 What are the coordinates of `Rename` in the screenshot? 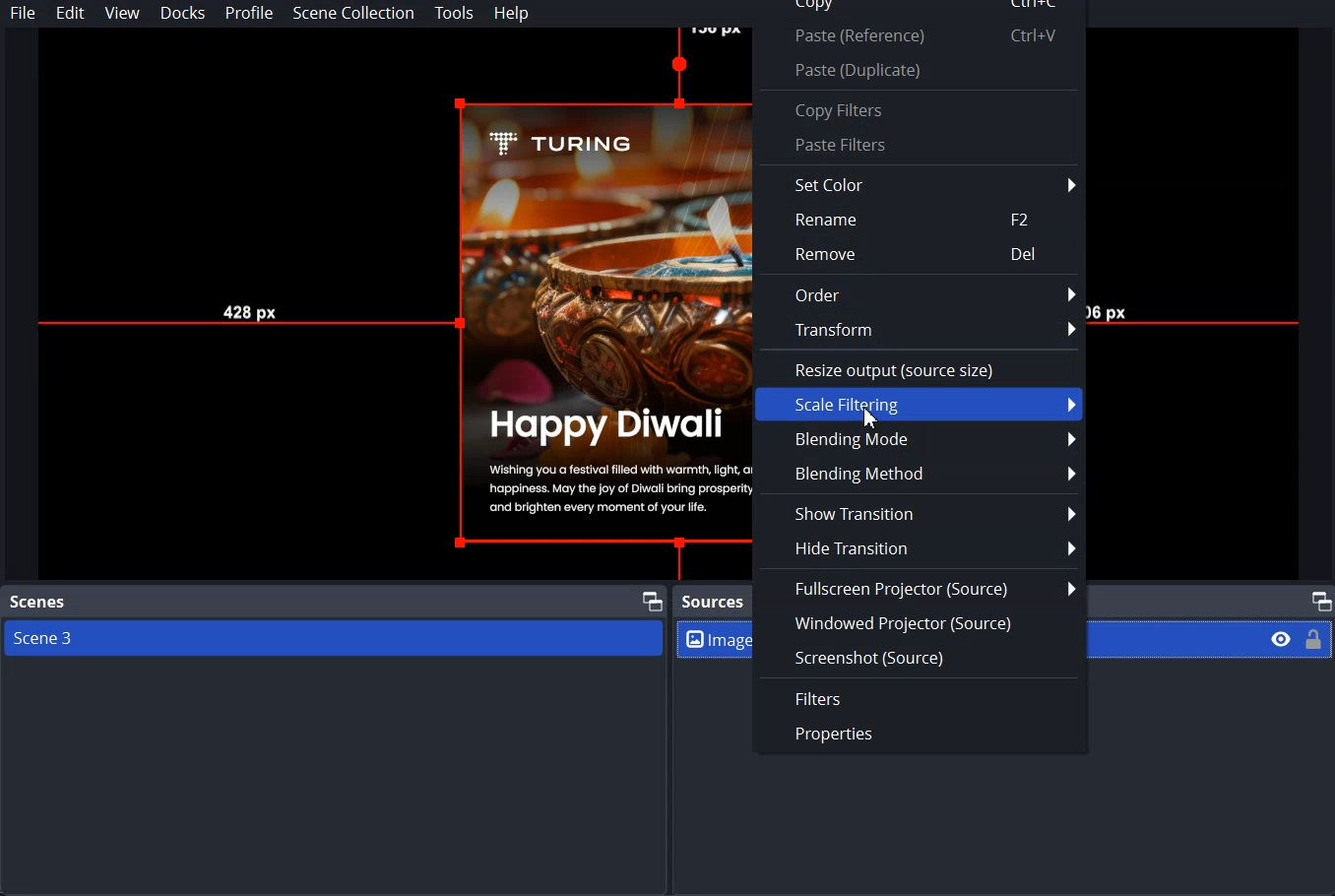 It's located at (919, 219).